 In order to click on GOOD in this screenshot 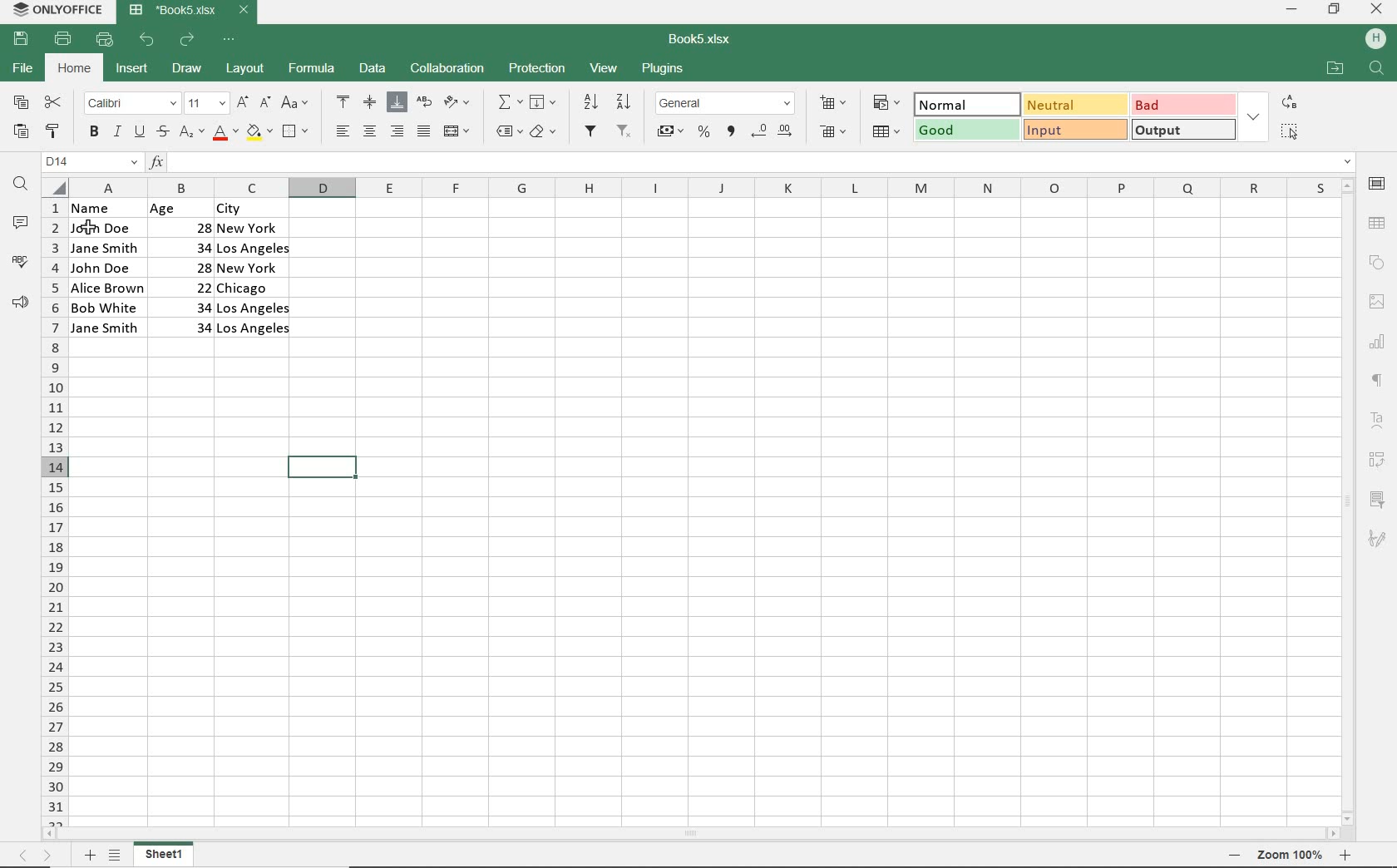, I will do `click(965, 131)`.